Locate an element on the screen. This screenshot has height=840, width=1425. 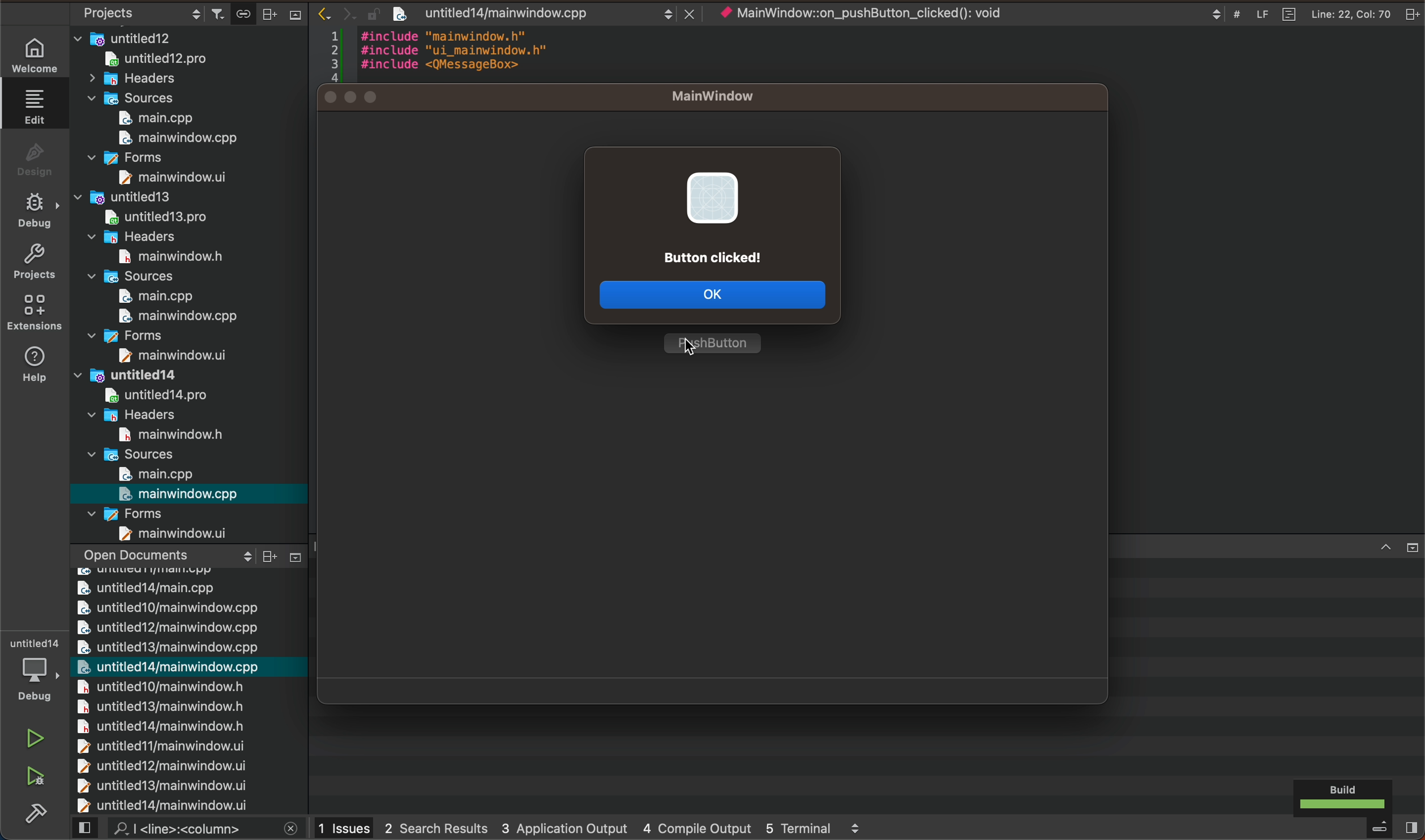
logs is located at coordinates (591, 828).